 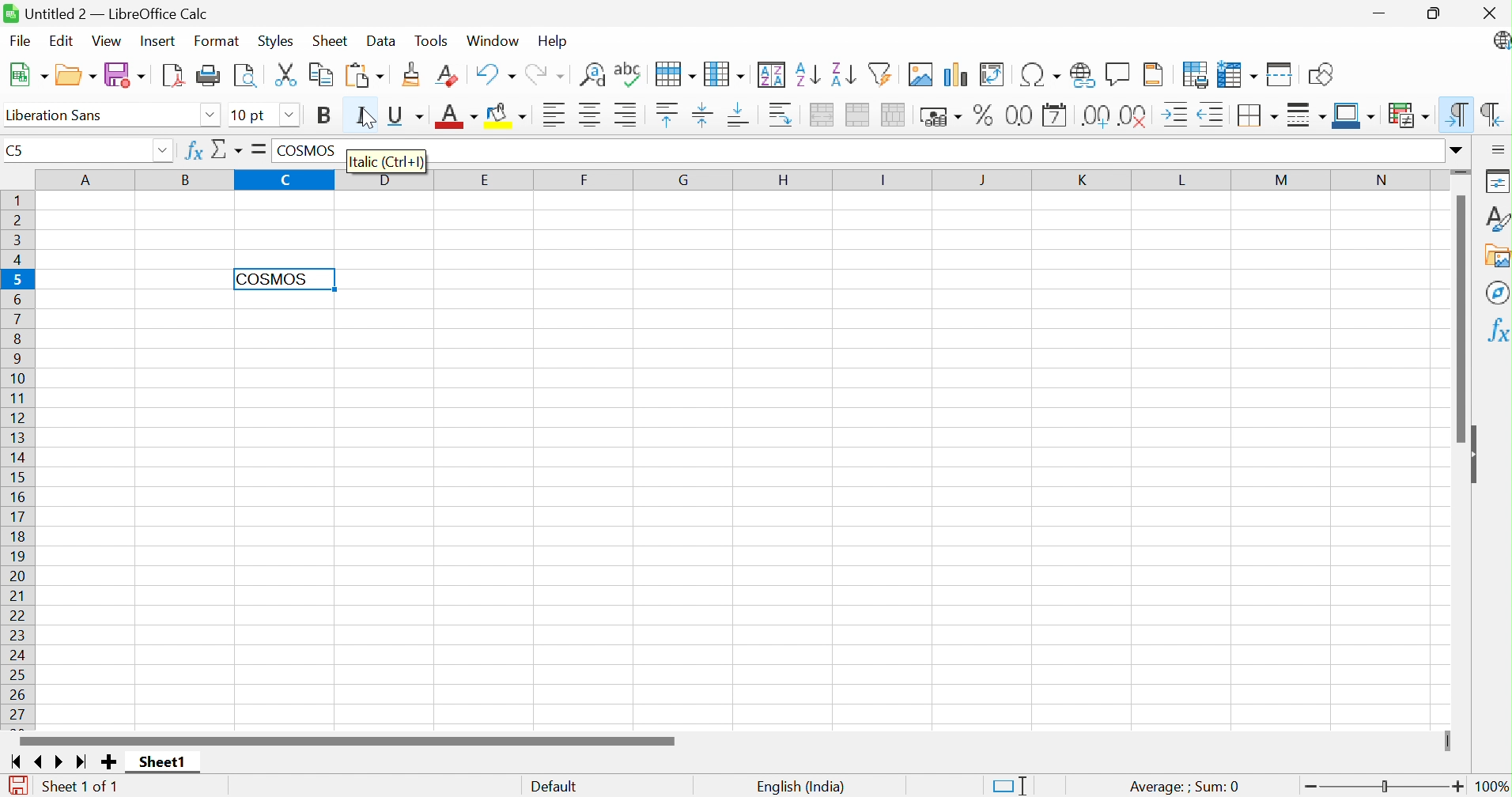 I want to click on Slider, so click(x=1462, y=170).